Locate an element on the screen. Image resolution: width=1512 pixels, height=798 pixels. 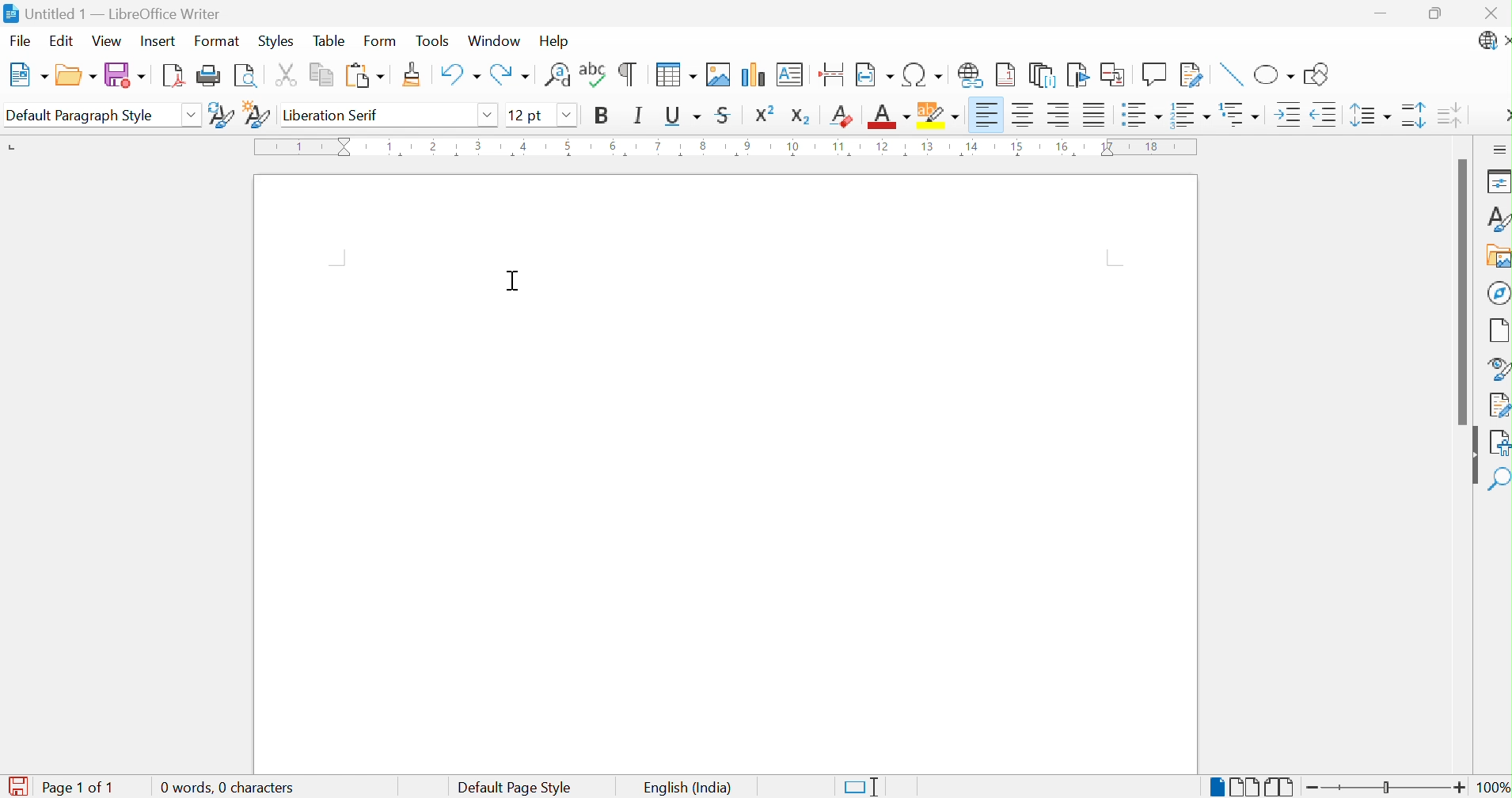
Single-page View is located at coordinates (1212, 785).